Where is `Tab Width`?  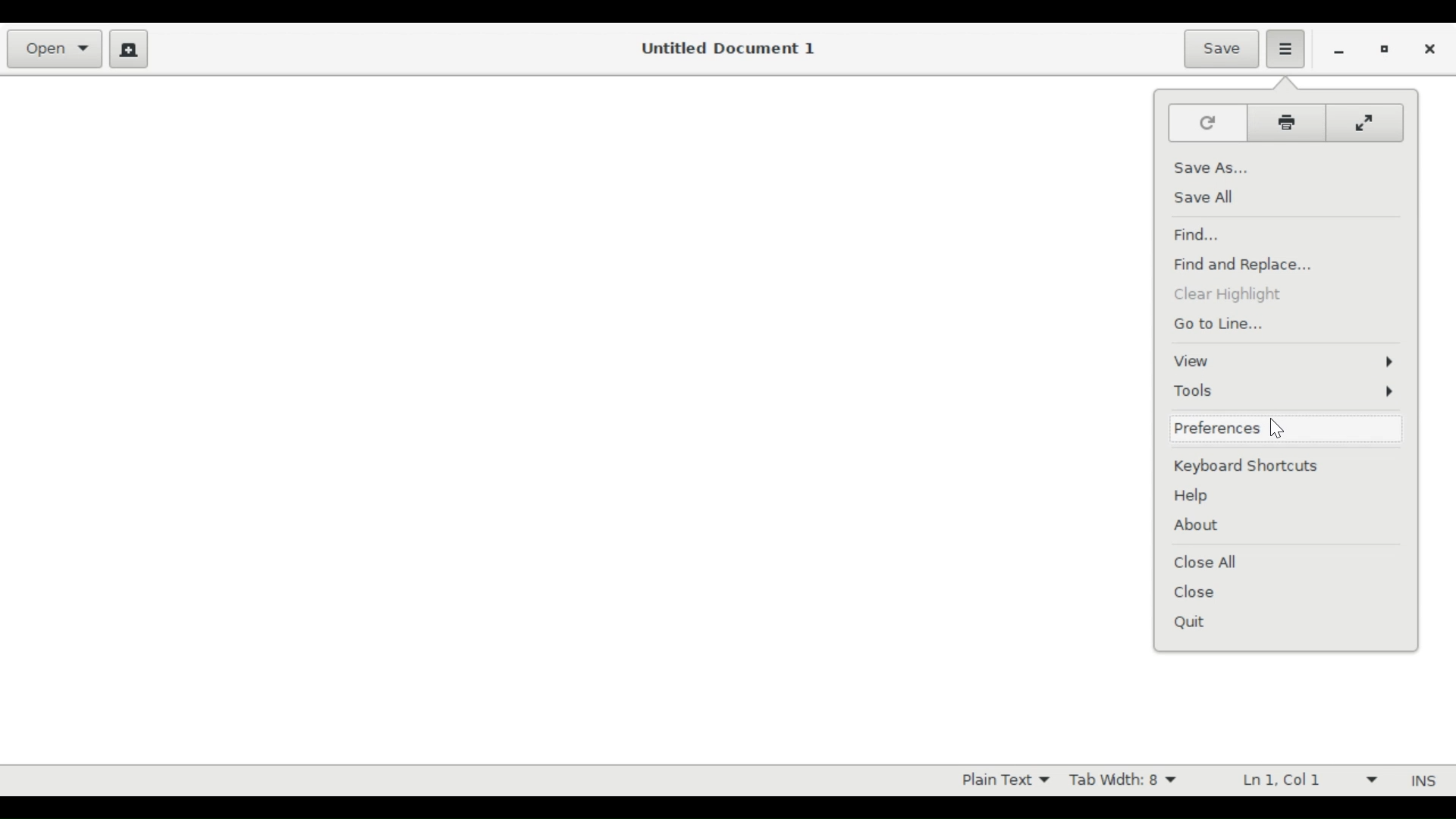
Tab Width is located at coordinates (1121, 780).